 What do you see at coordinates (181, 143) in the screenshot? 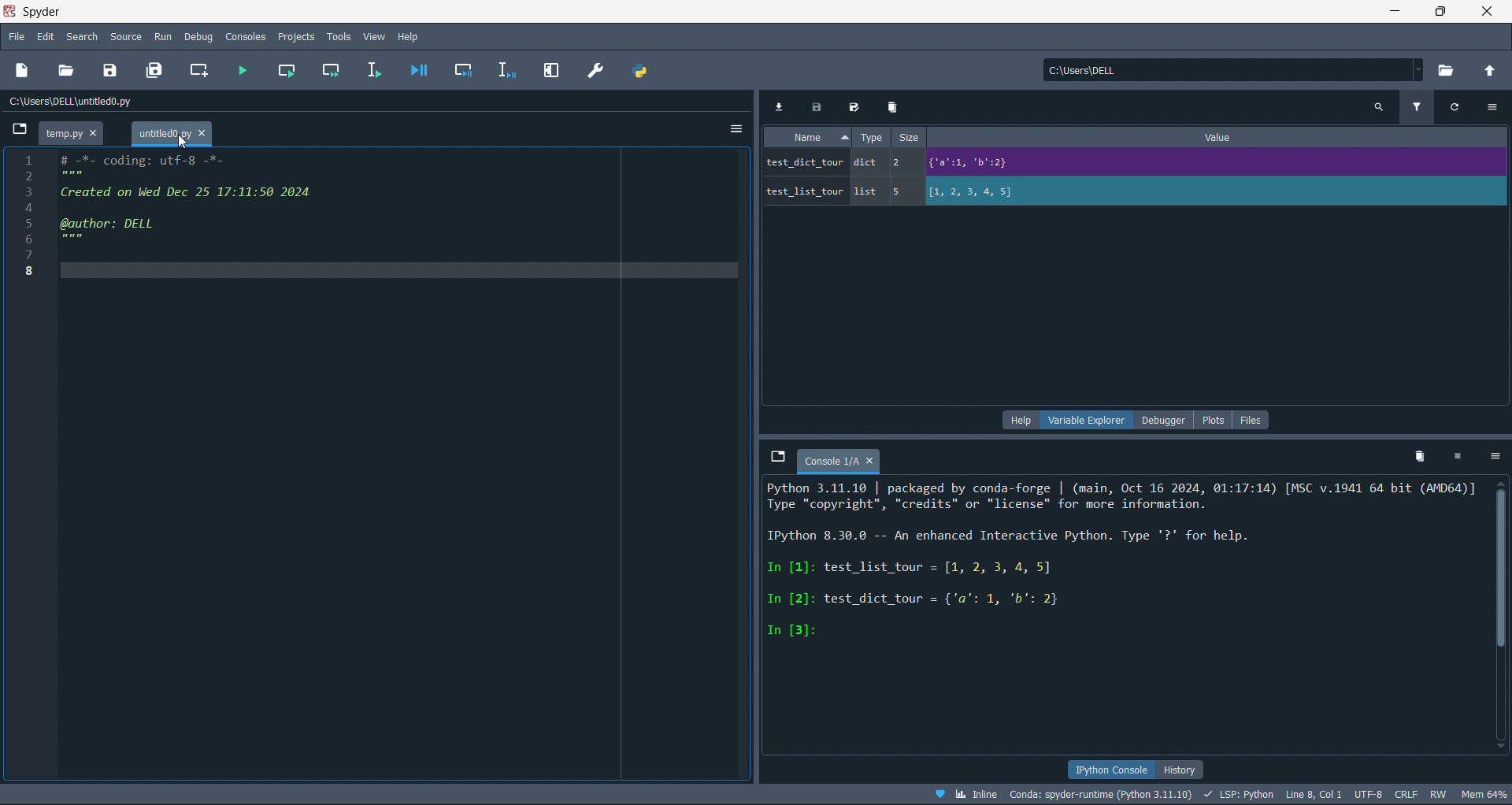
I see `Cursor` at bounding box center [181, 143].